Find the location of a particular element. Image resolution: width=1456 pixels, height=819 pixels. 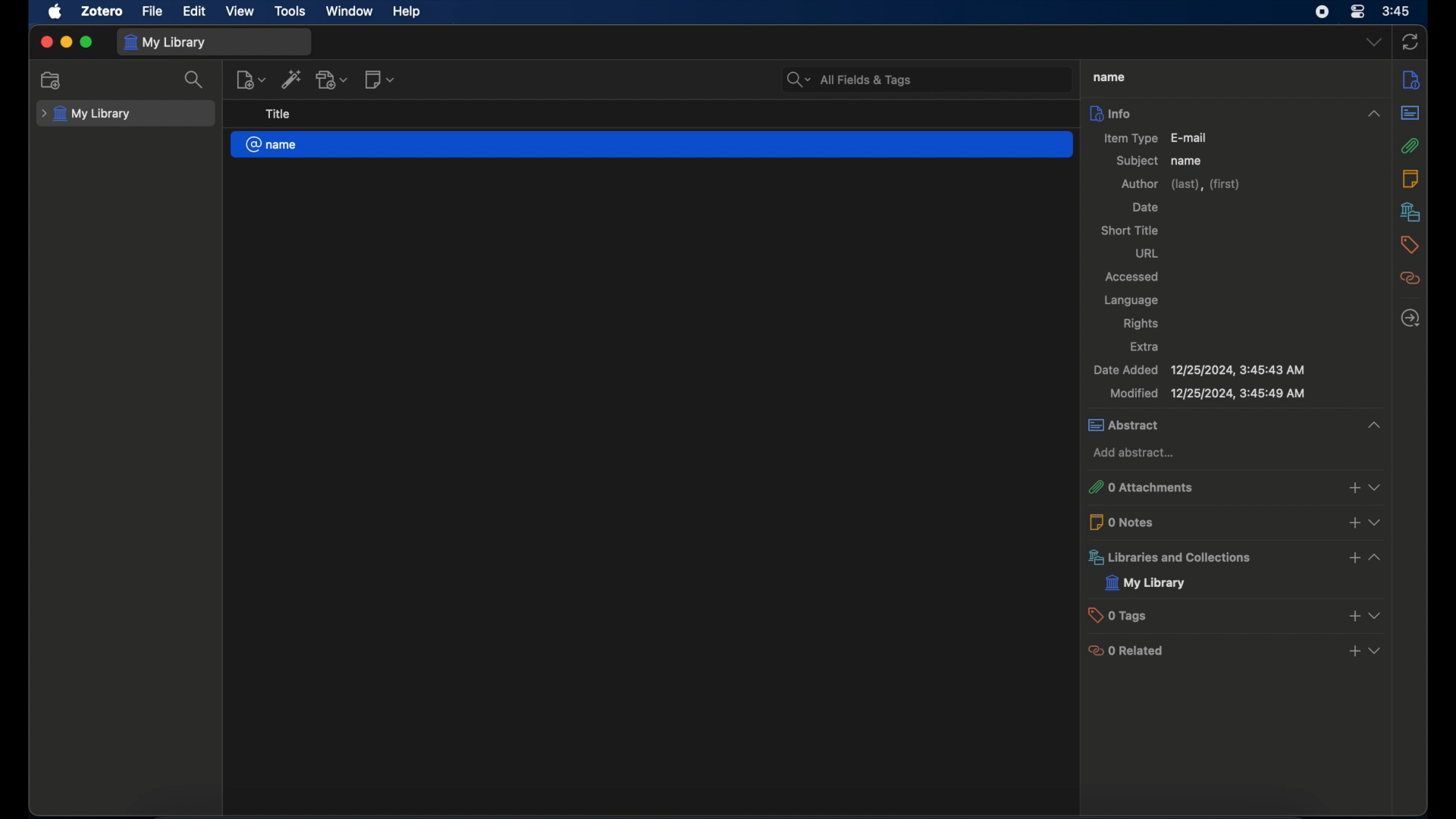

0 tags is located at coordinates (1238, 614).